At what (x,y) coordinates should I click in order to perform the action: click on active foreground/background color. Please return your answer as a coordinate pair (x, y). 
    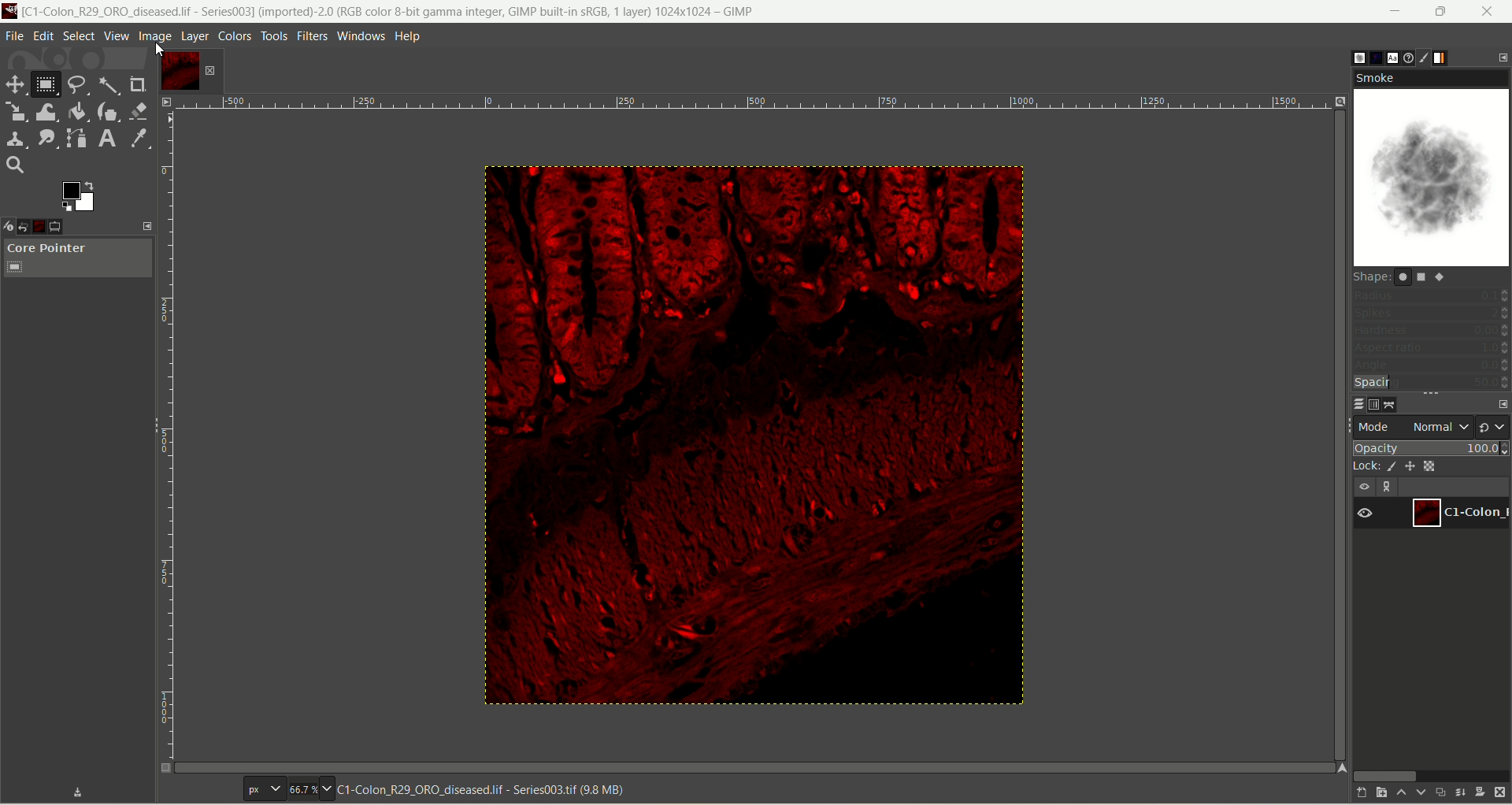
    Looking at the image, I should click on (79, 196).